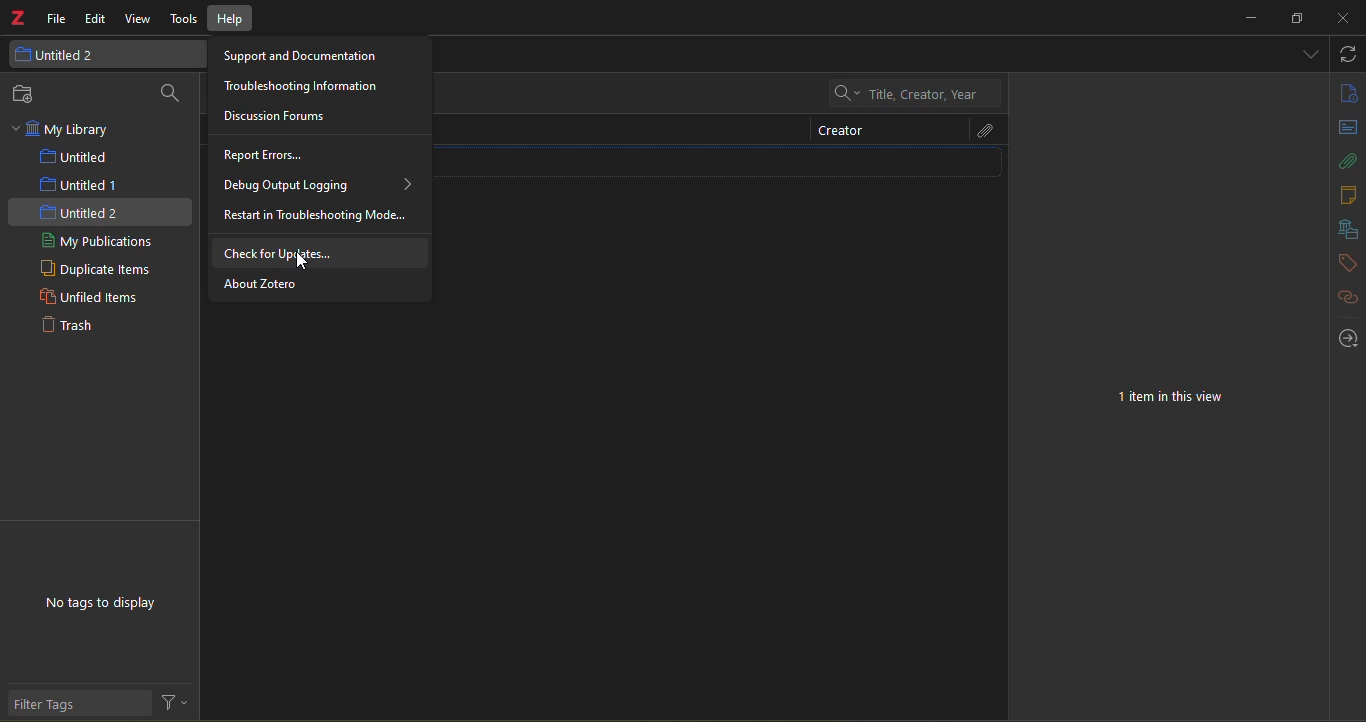 The height and width of the screenshot is (722, 1366). Describe the element at coordinates (270, 154) in the screenshot. I see `report errors...` at that location.